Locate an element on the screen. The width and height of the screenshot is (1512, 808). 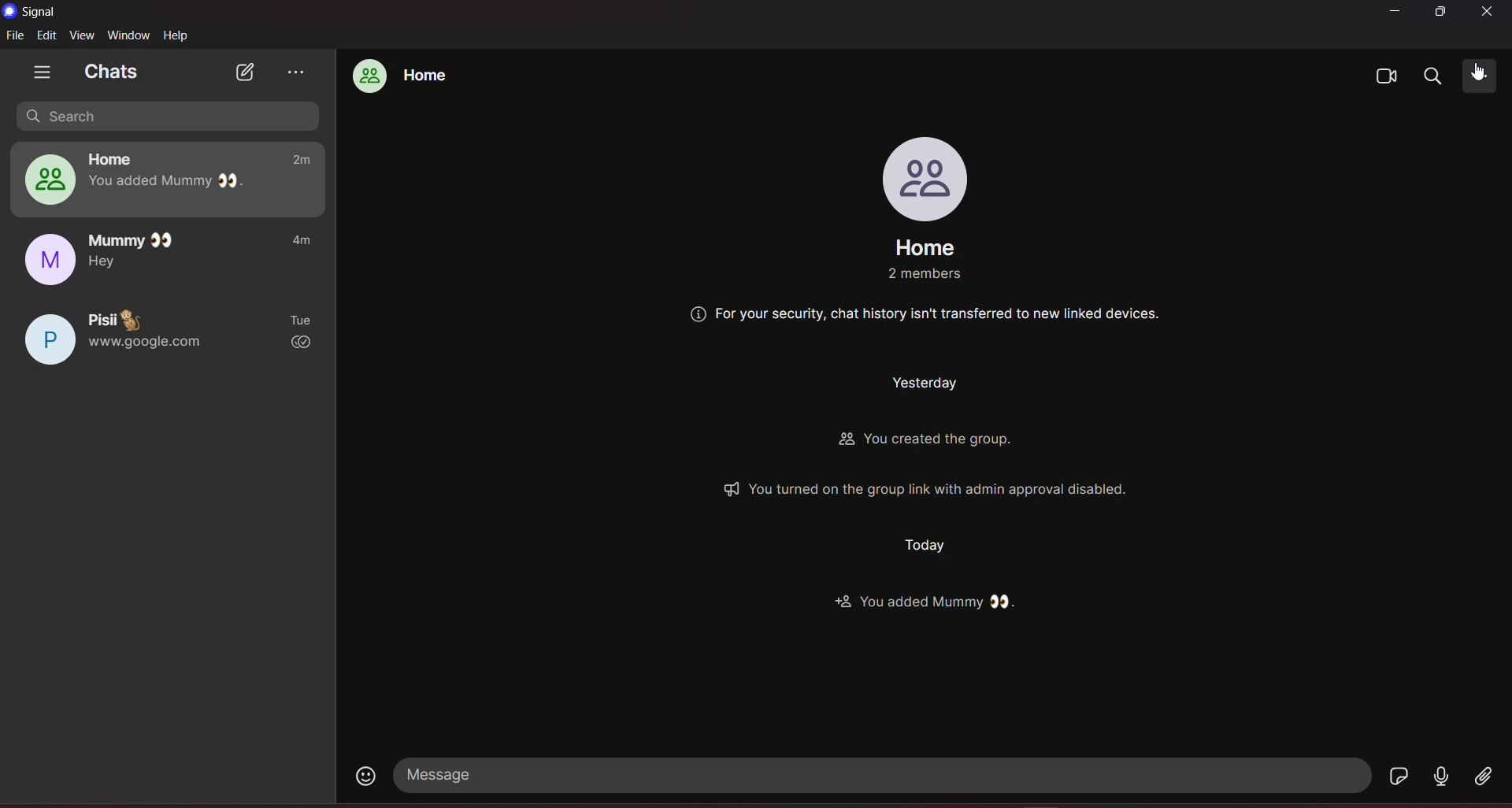
view archieve is located at coordinates (297, 74).